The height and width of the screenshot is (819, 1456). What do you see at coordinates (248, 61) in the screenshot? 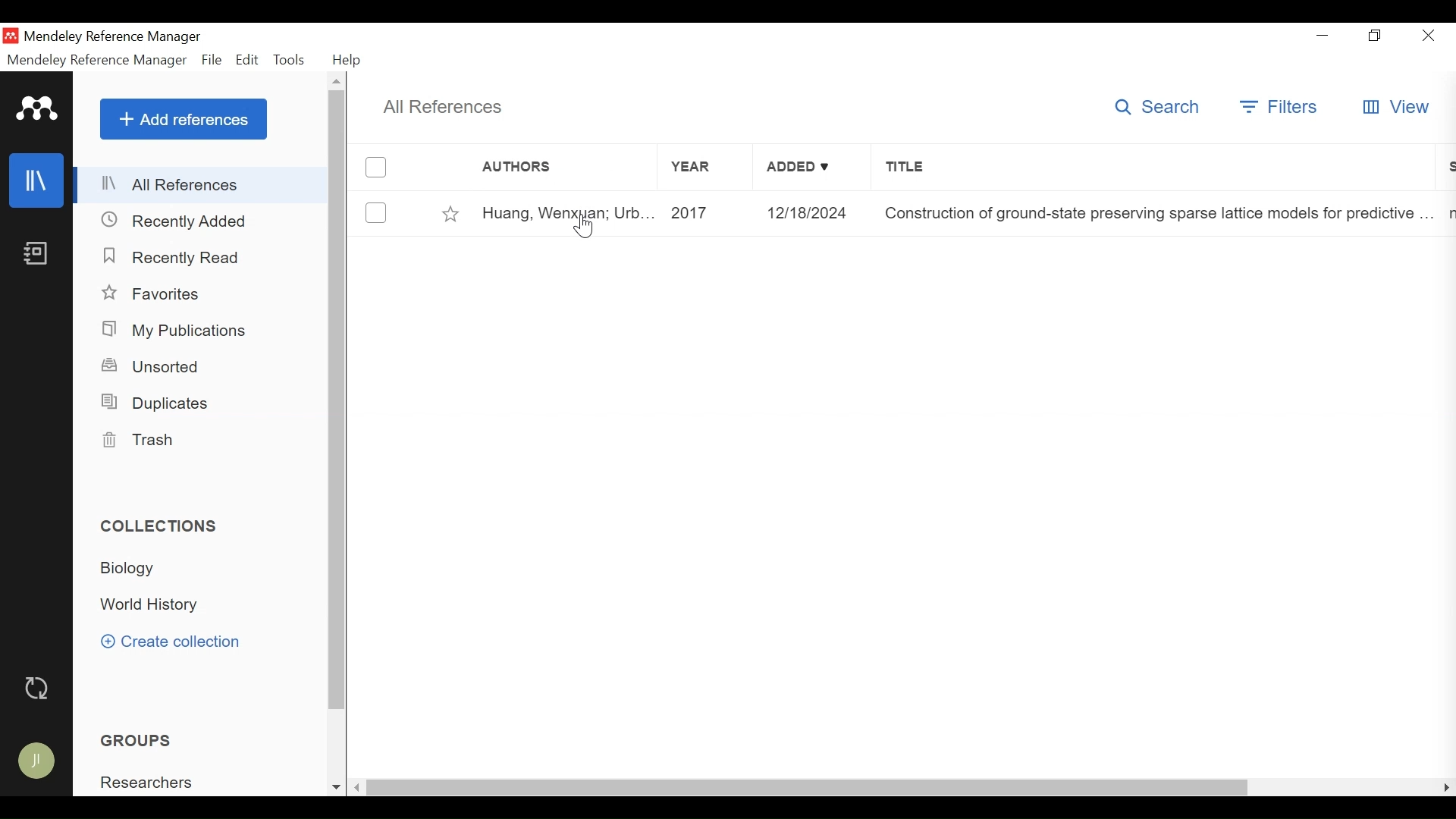
I see `Edit` at bounding box center [248, 61].